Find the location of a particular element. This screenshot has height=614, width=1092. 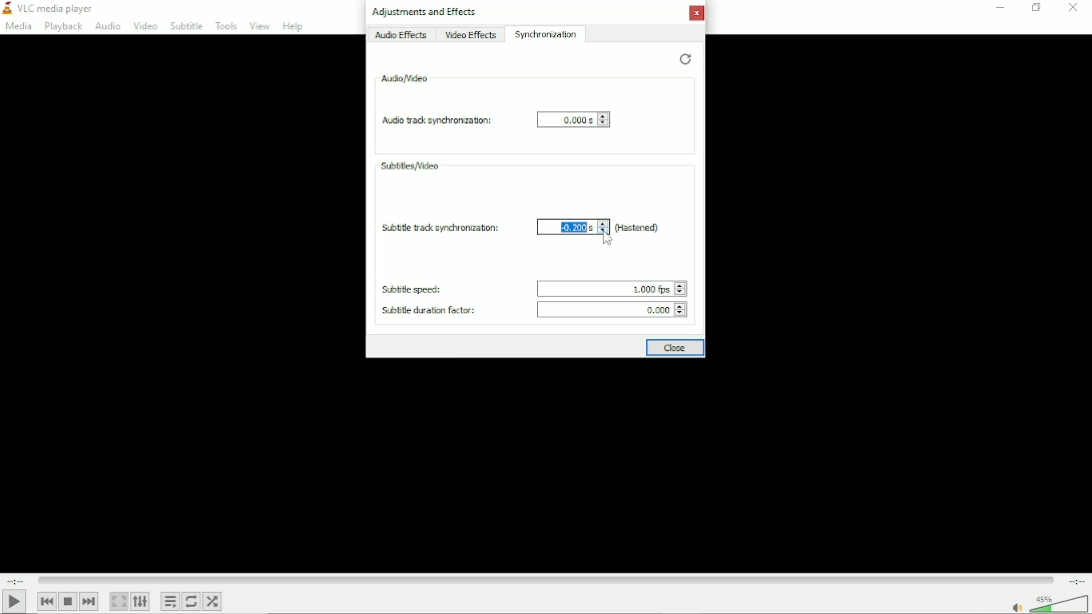

Adjustments and effects is located at coordinates (424, 12).